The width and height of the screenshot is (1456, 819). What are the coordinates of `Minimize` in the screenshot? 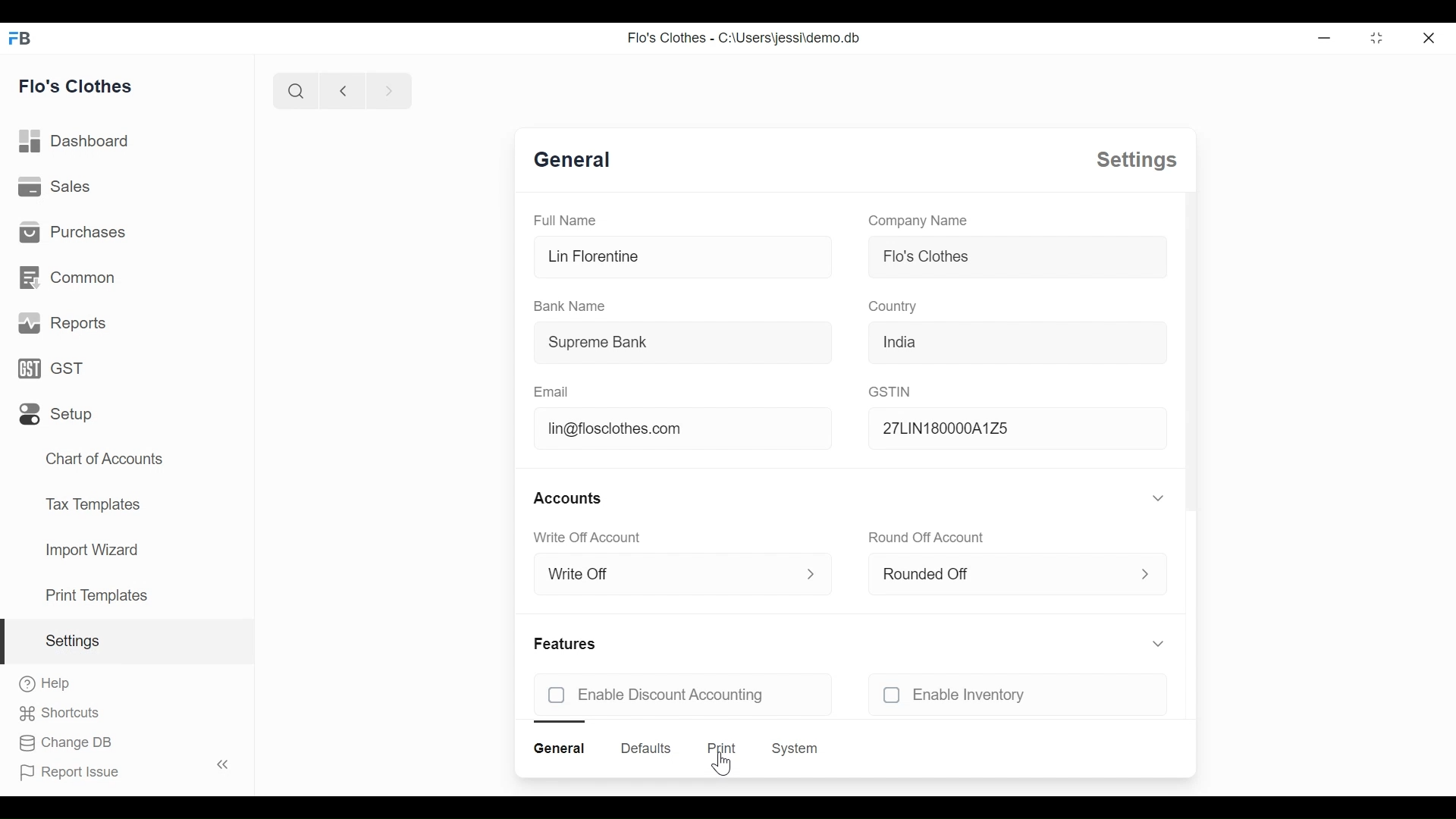 It's located at (1322, 37).